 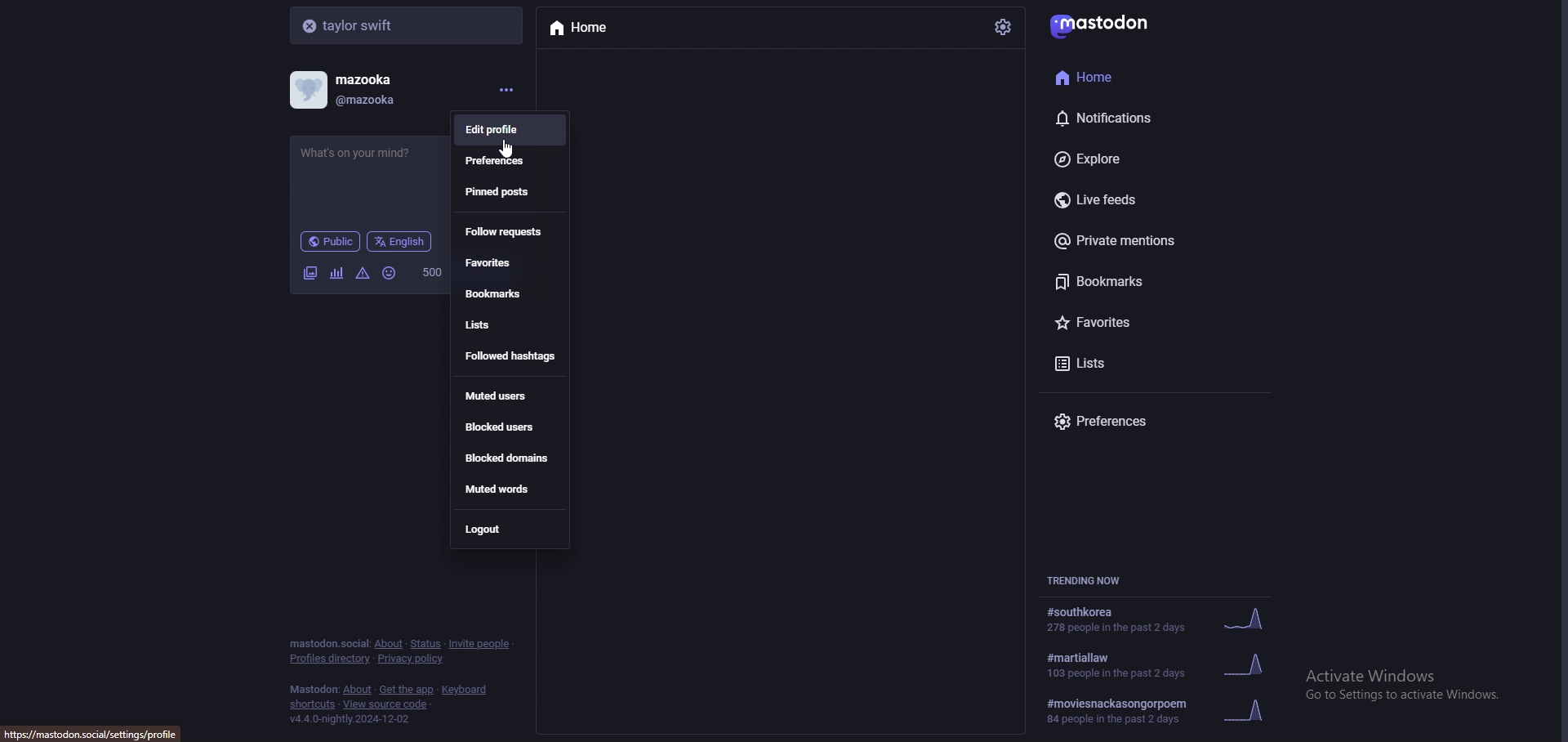 I want to click on mastodon, so click(x=328, y=643).